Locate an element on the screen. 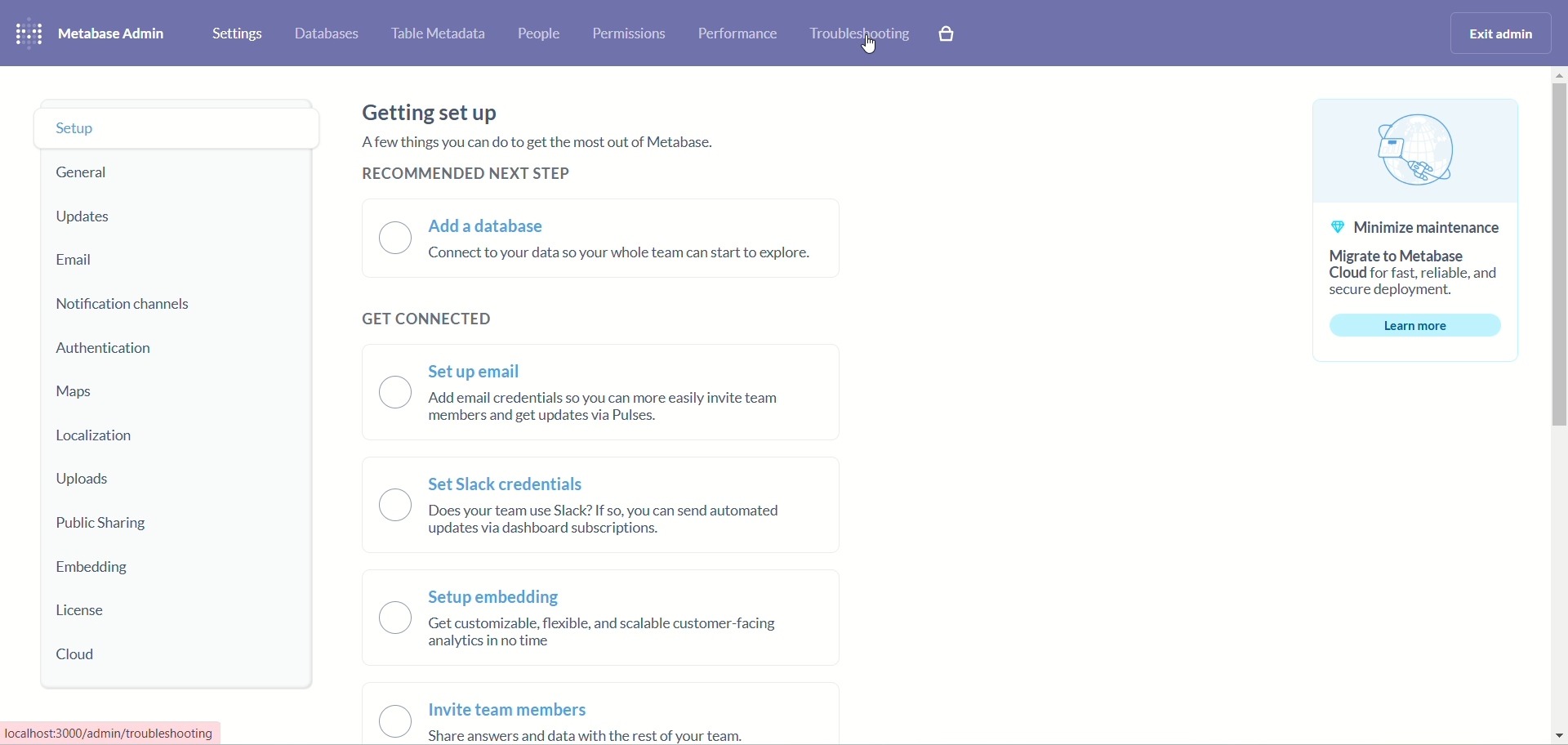 This screenshot has height=745, width=1568. public sharing is located at coordinates (104, 525).